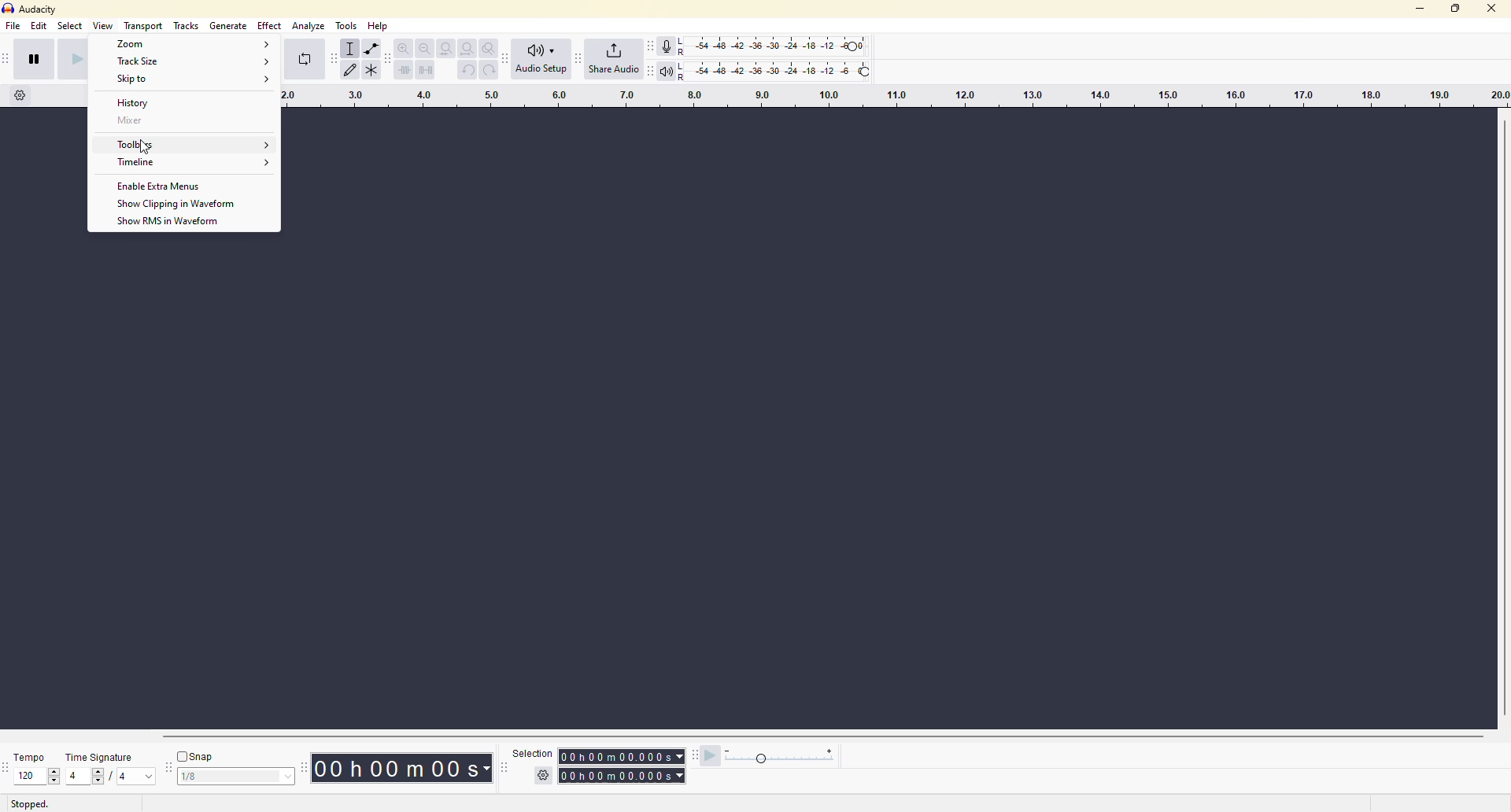  What do you see at coordinates (30, 803) in the screenshot?
I see `stopped` at bounding box center [30, 803].